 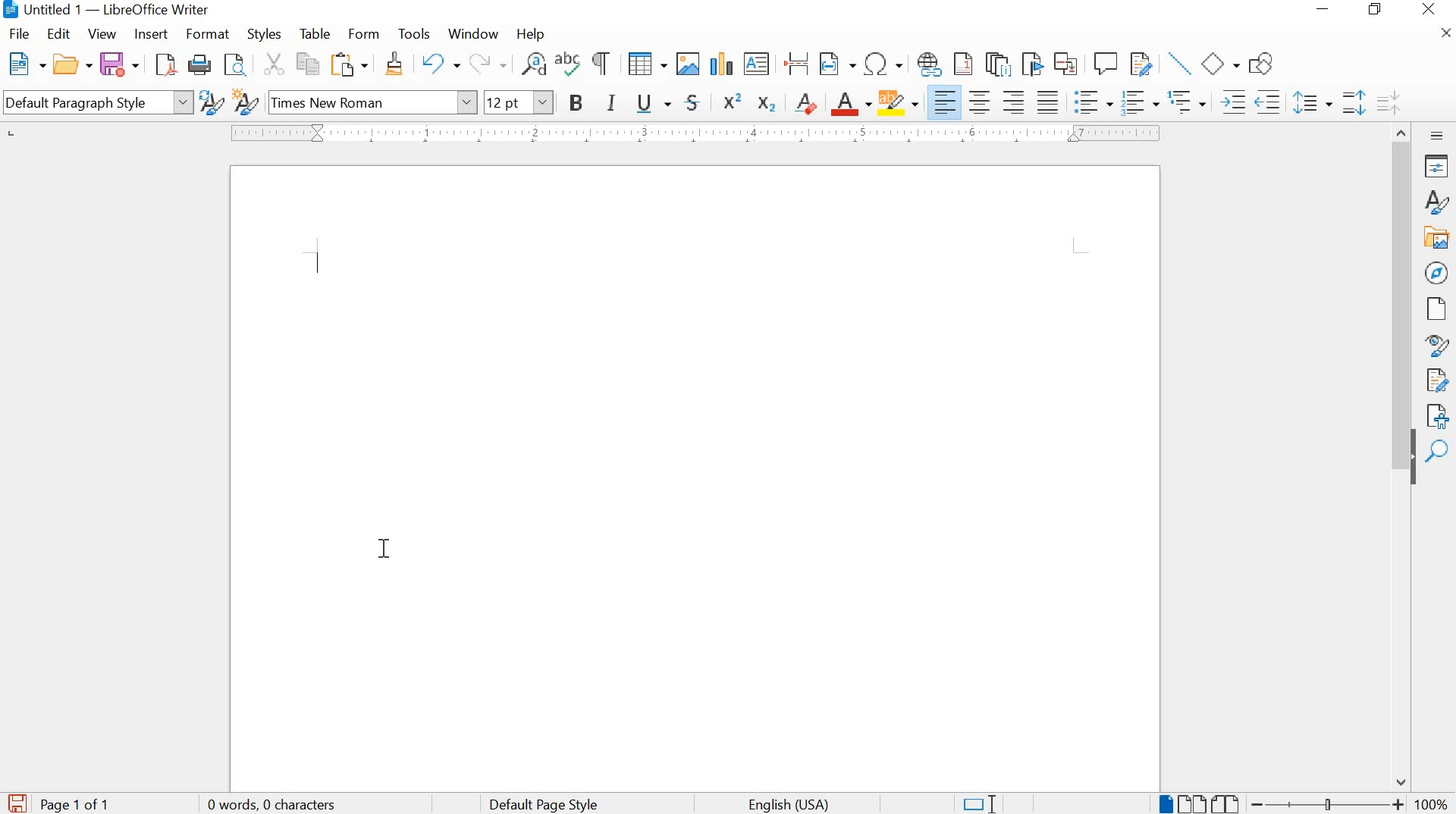 I want to click on PASTE, so click(x=350, y=64).